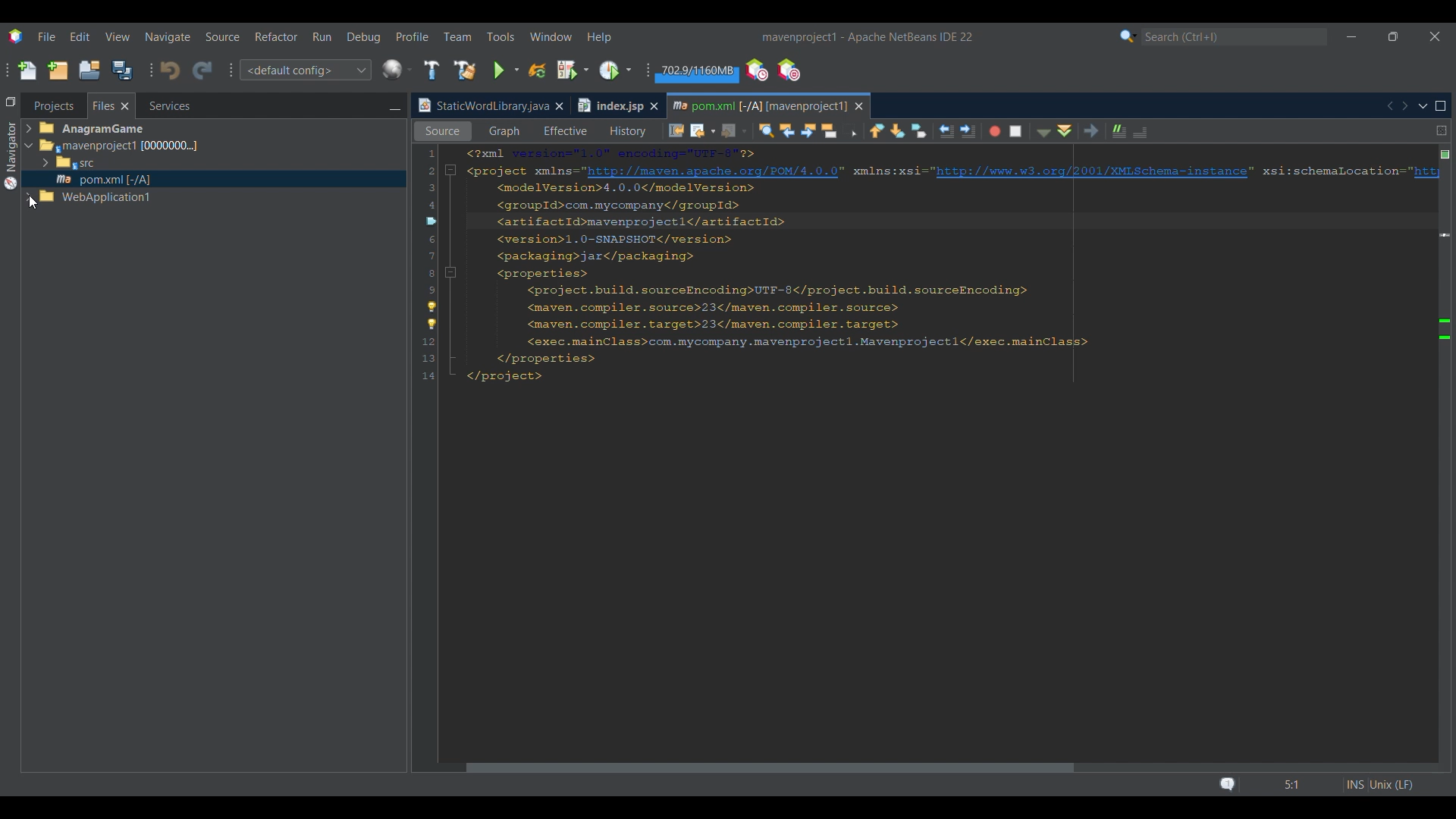 This screenshot has height=819, width=1456. Describe the element at coordinates (1389, 106) in the screenshot. I see `Previous` at that location.